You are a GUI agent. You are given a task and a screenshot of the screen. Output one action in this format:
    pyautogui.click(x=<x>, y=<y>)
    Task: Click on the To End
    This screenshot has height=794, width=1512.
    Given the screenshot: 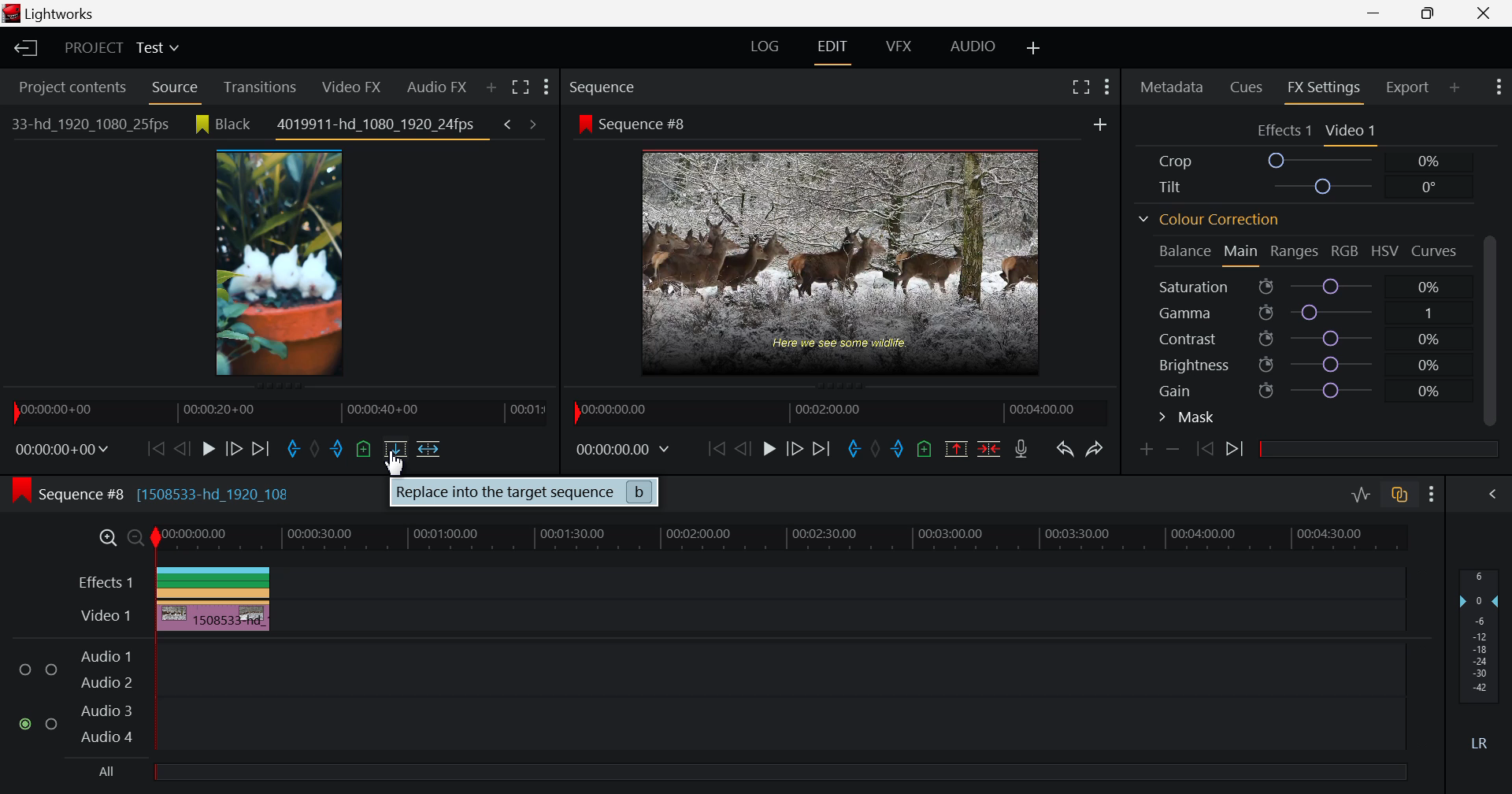 What is the action you would take?
    pyautogui.click(x=824, y=449)
    